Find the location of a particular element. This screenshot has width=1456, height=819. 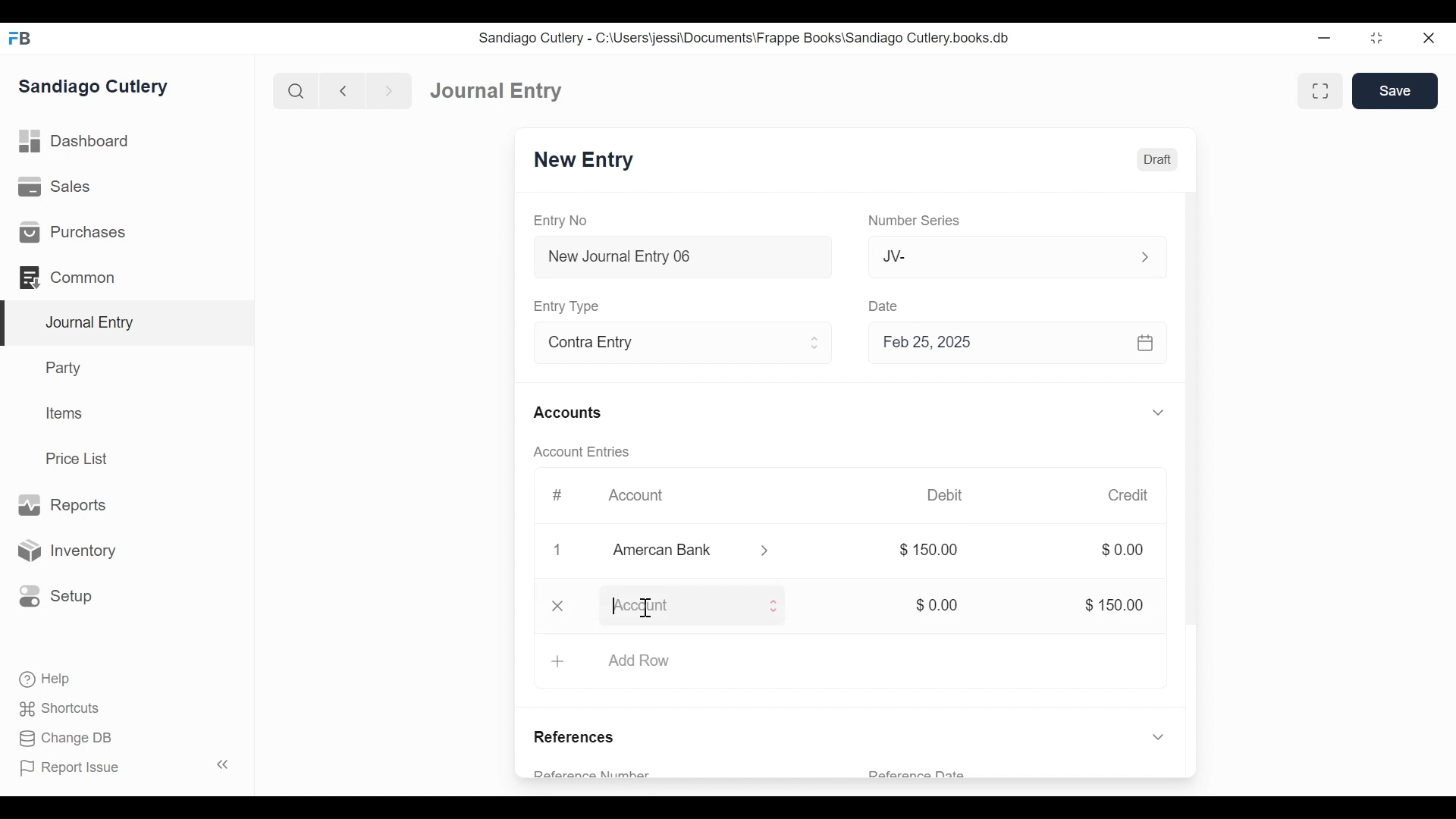

Items is located at coordinates (65, 413).